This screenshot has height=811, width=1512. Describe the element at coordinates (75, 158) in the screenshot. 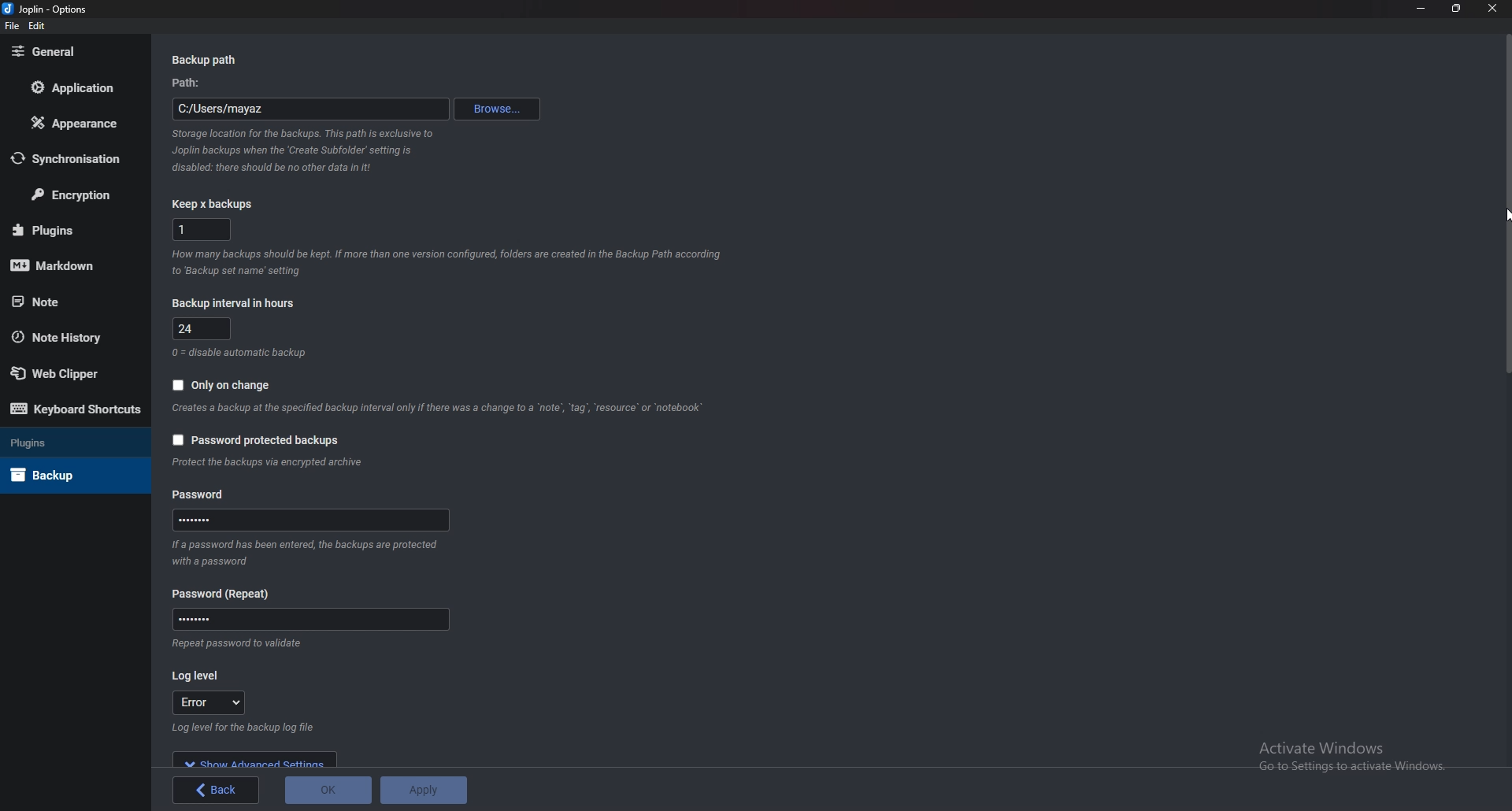

I see `Synchronization` at that location.